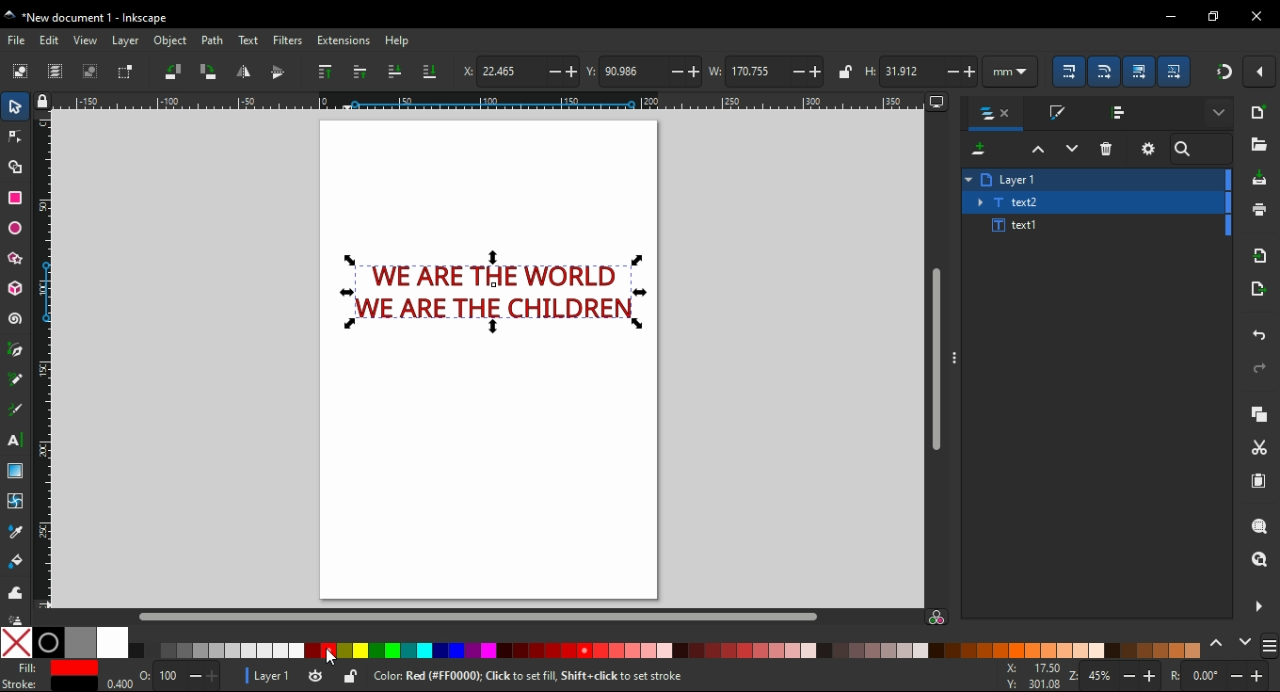 The image size is (1280, 692). Describe the element at coordinates (16, 380) in the screenshot. I see `pencil tool` at that location.